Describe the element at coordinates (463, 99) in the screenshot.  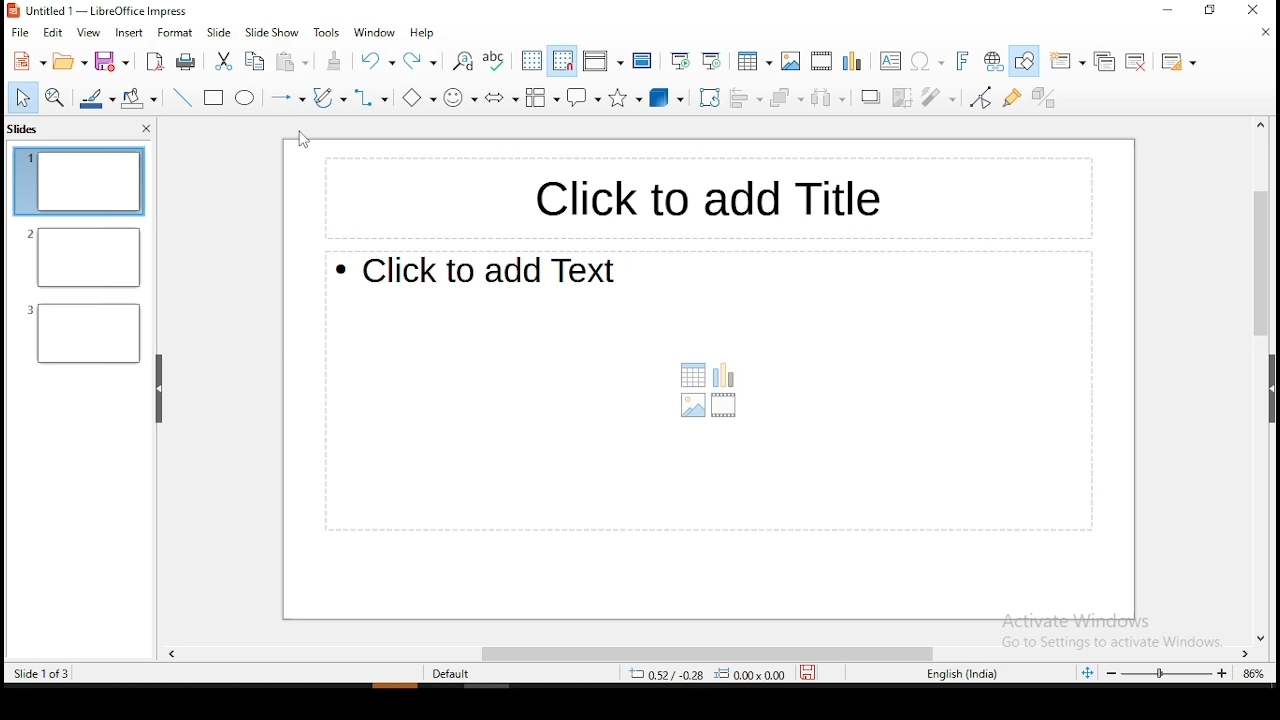
I see `symbol shapes` at that location.